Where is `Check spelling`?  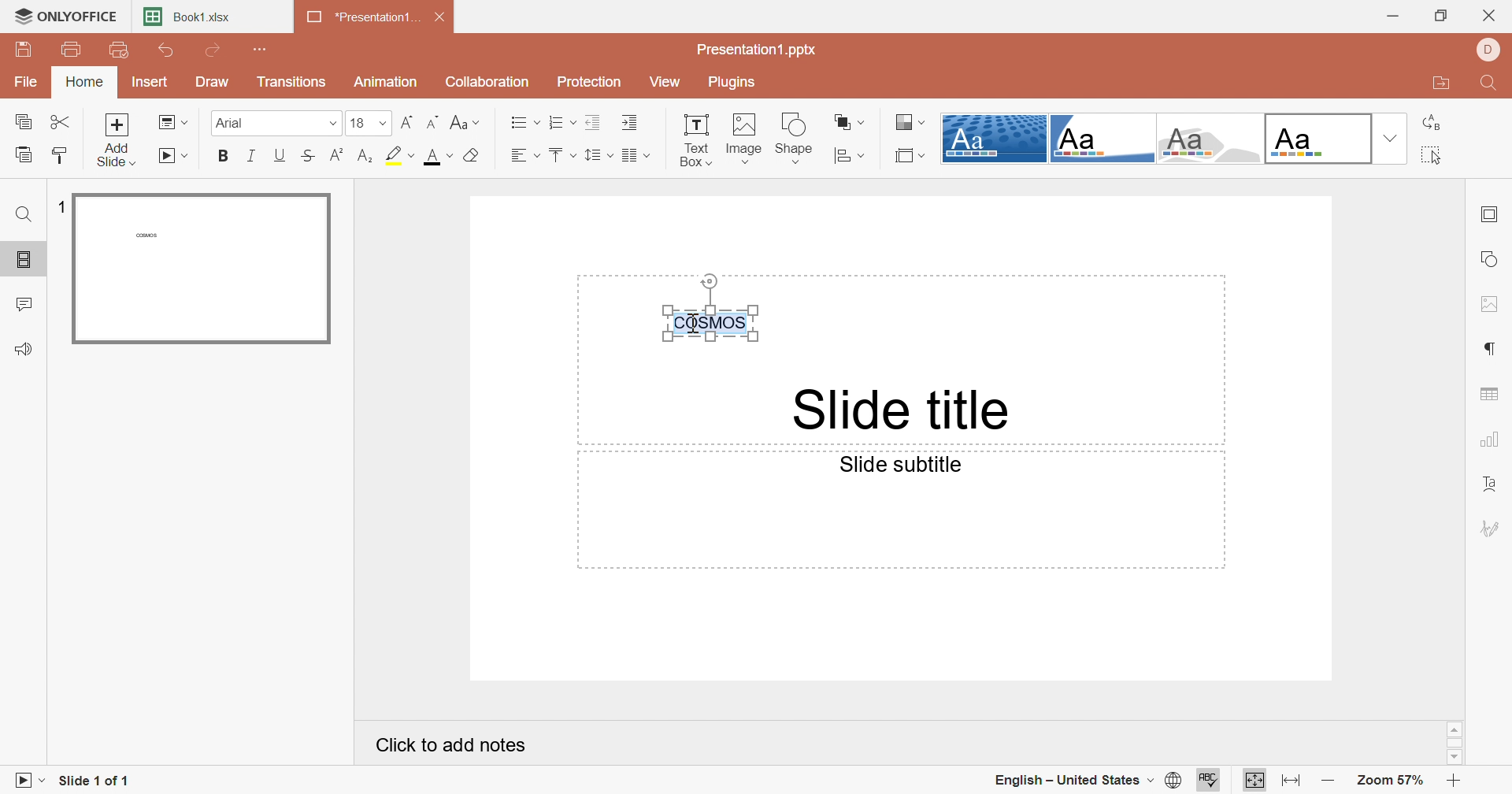
Check spelling is located at coordinates (1209, 779).